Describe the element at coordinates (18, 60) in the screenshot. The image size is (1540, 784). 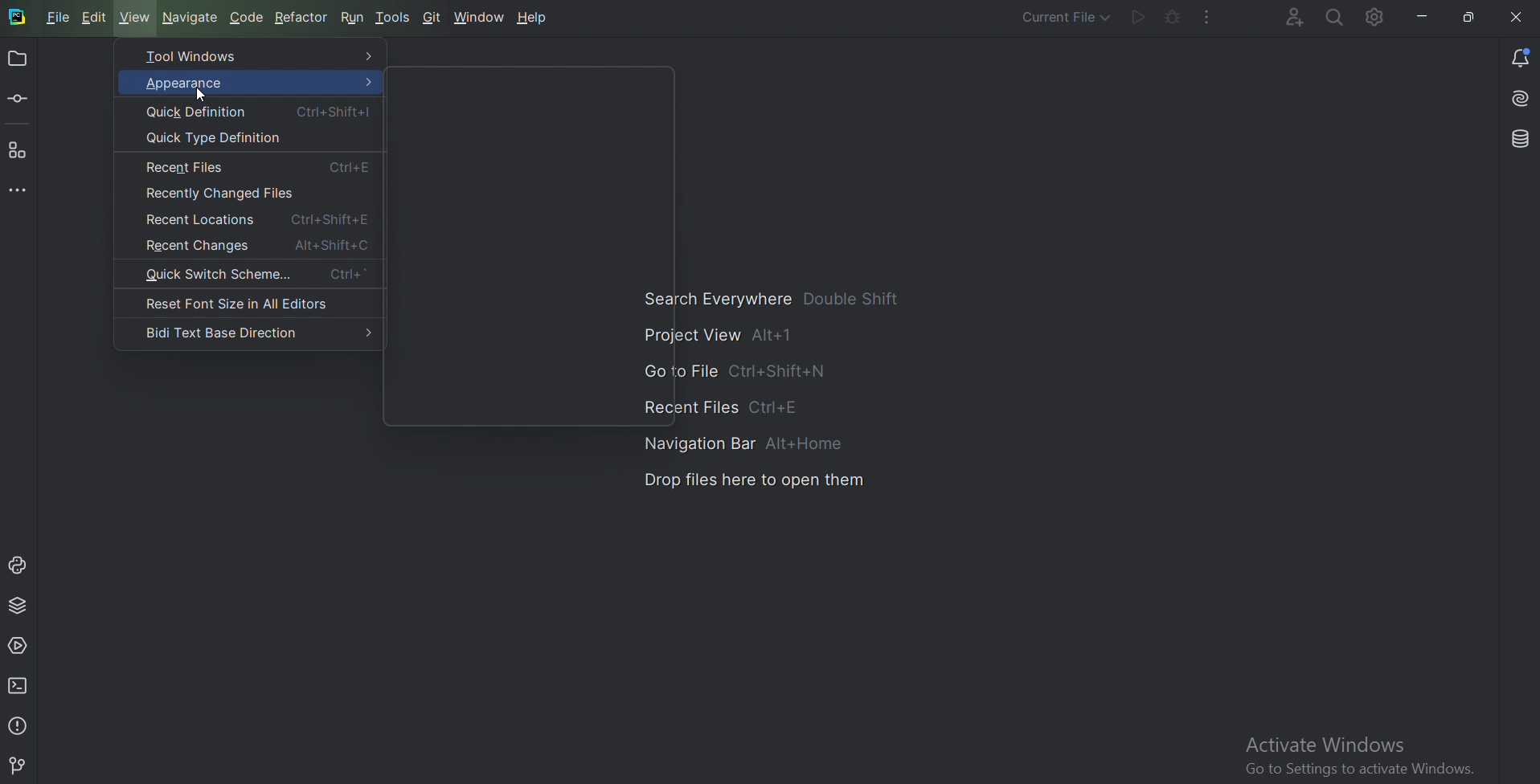
I see `Project` at that location.